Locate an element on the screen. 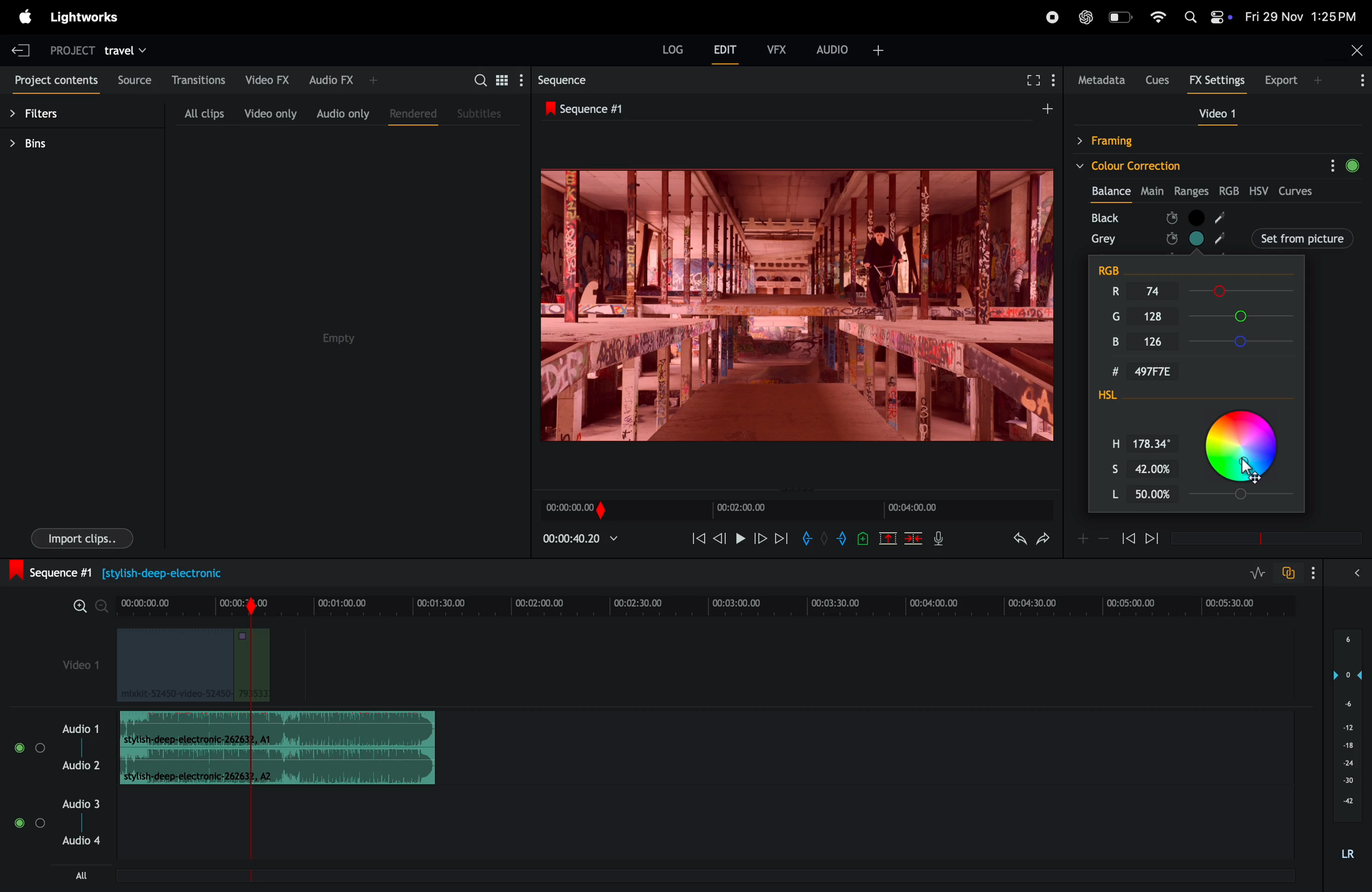 The image size is (1372, 892). video only is located at coordinates (270, 114).